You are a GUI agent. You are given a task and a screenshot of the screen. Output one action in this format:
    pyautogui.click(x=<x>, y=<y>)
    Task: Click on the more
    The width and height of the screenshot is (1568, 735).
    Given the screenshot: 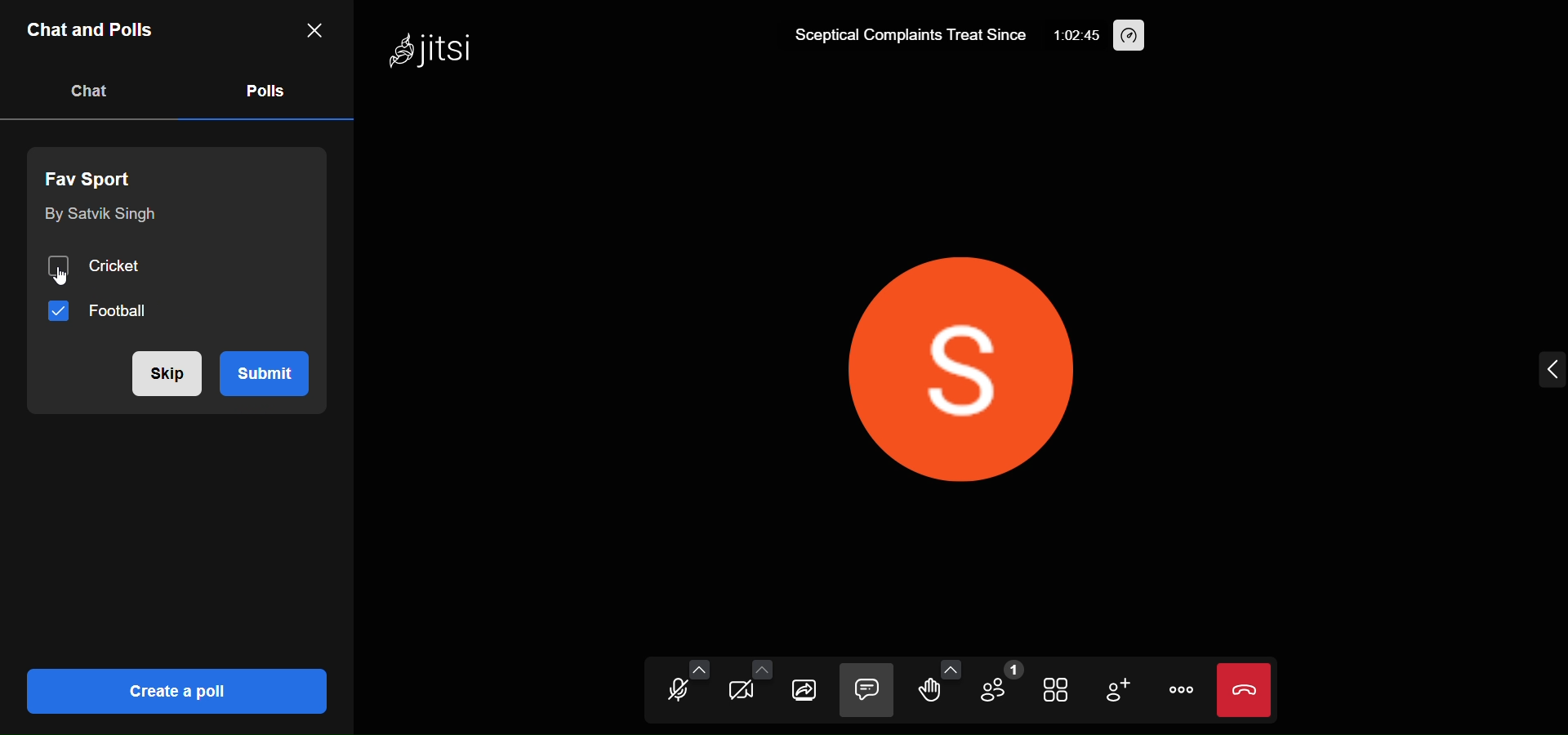 What is the action you would take?
    pyautogui.click(x=1178, y=689)
    